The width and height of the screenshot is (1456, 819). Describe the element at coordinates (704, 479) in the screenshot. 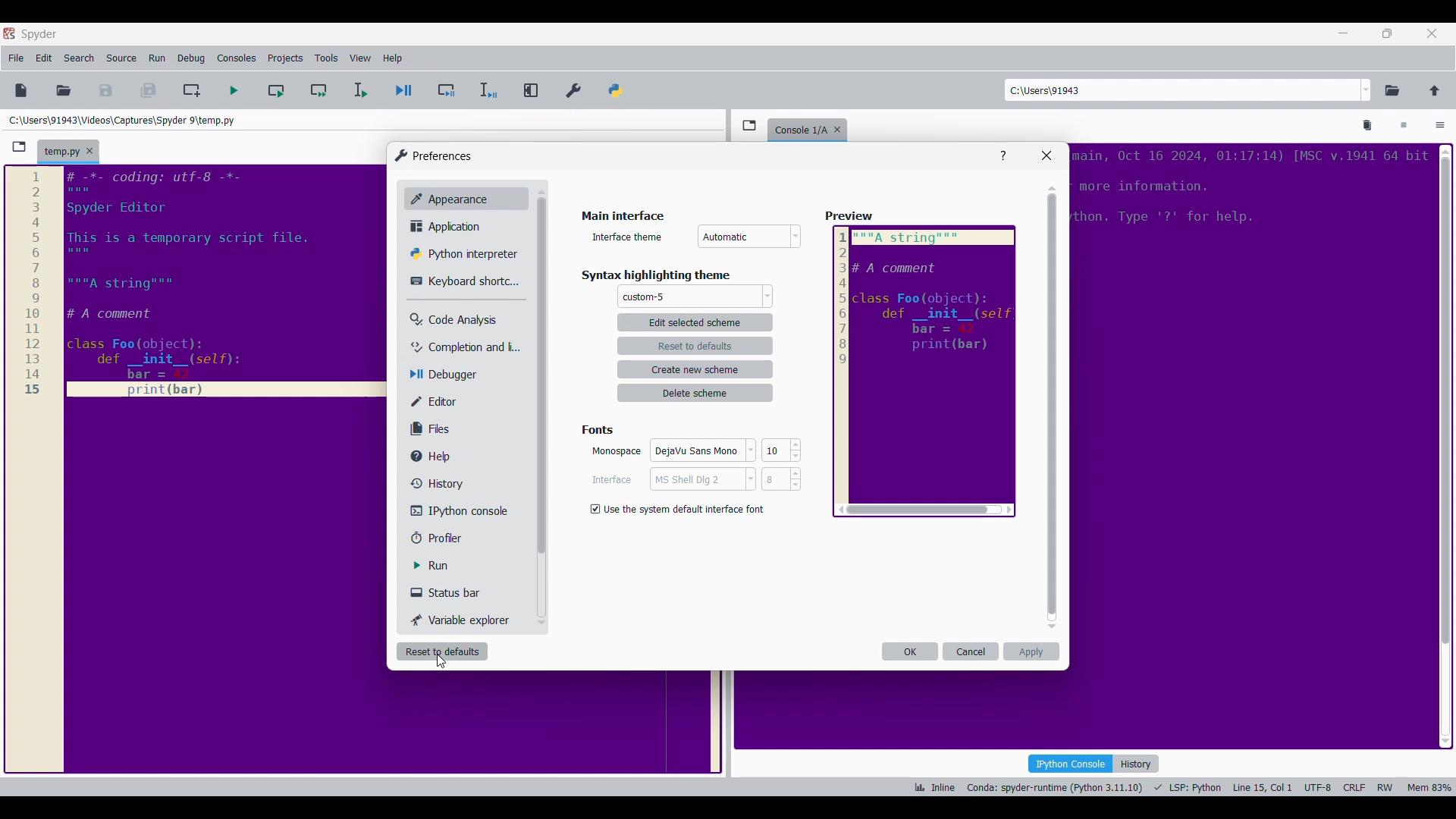

I see `MS Shell Dig 2 ` at that location.